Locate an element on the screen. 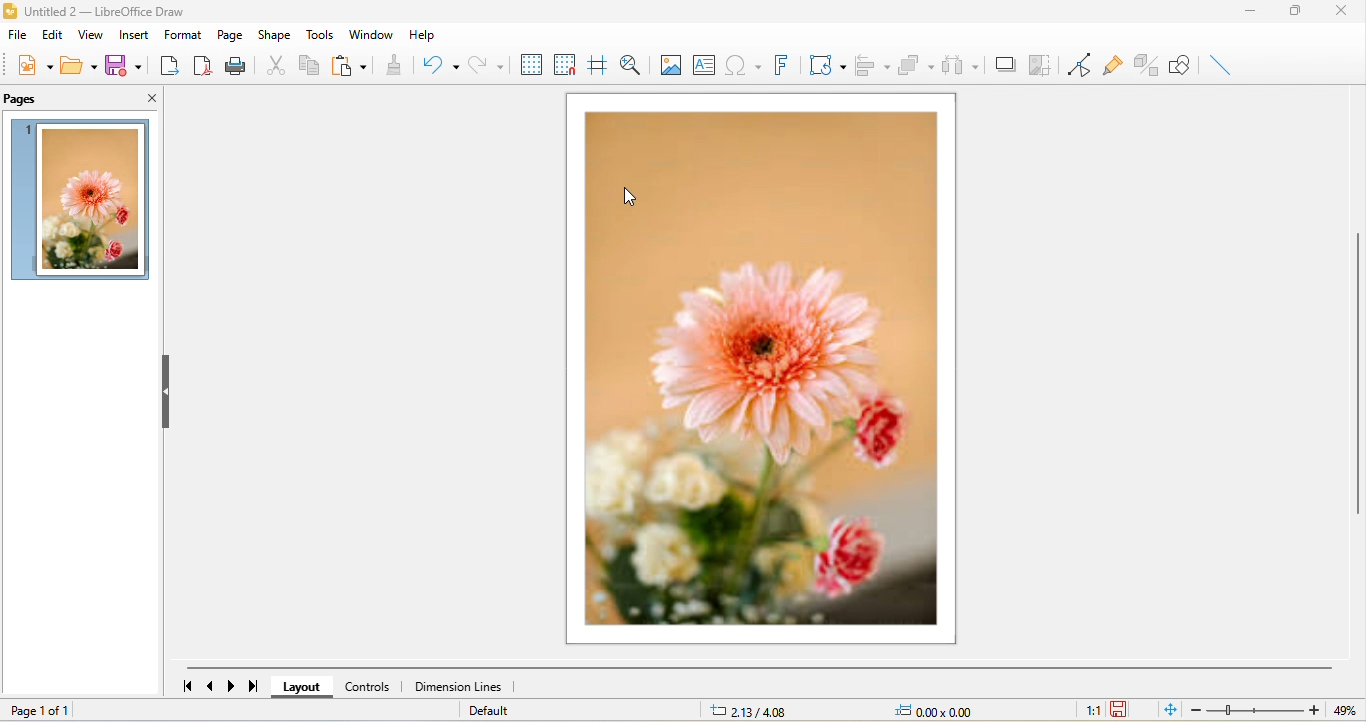  export directly as pdf is located at coordinates (199, 64).